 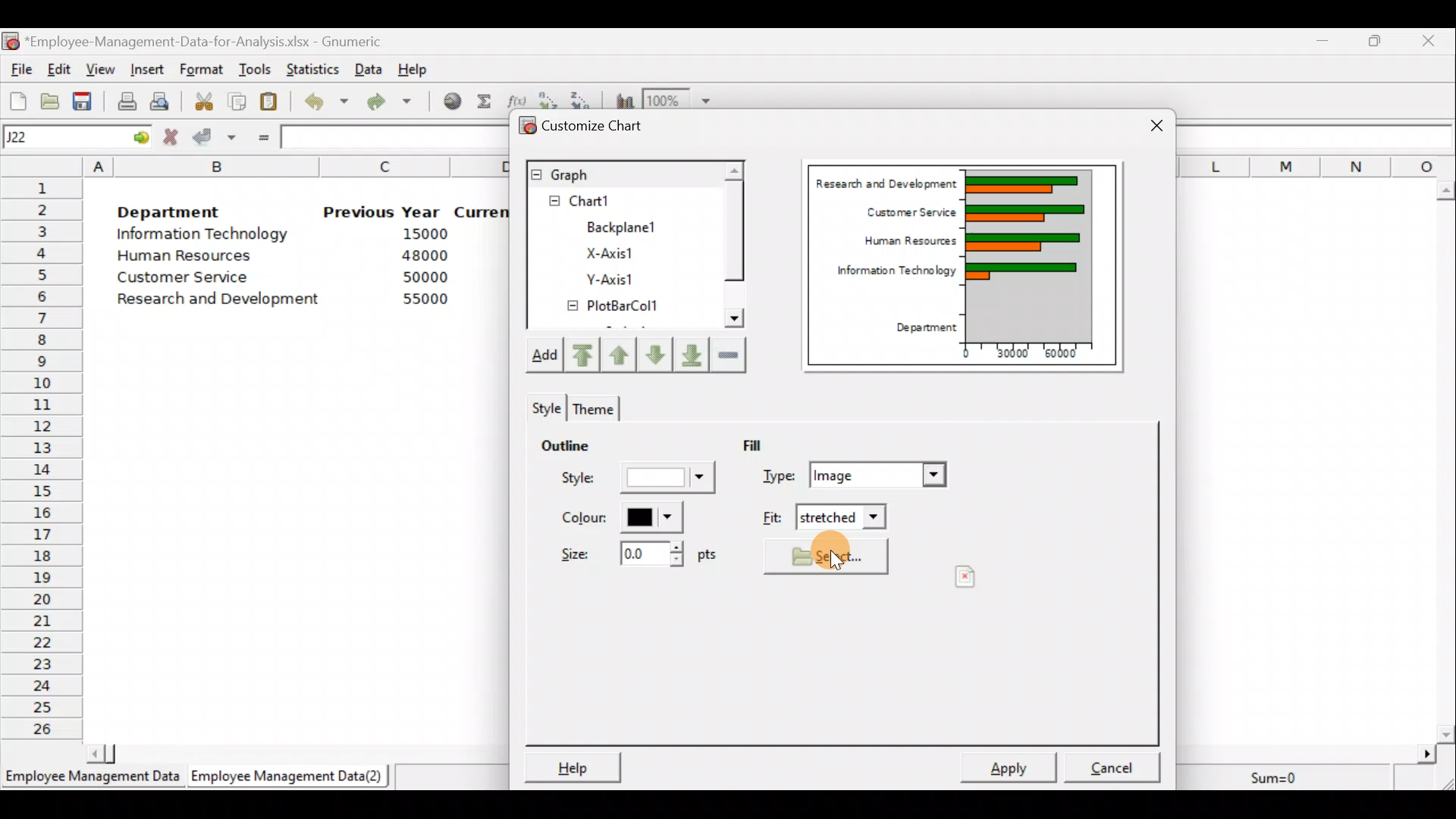 I want to click on Research and development, so click(x=219, y=297).